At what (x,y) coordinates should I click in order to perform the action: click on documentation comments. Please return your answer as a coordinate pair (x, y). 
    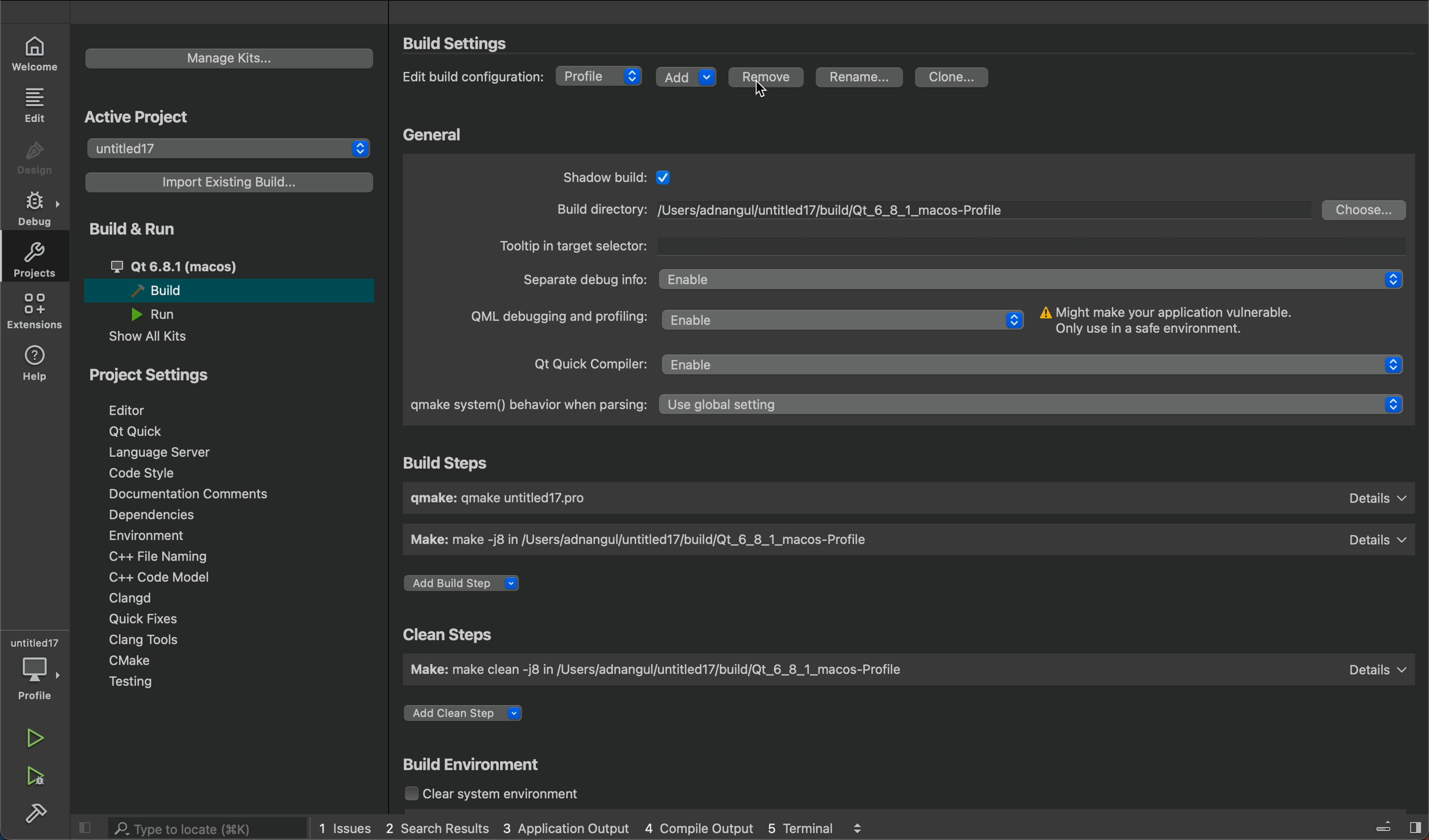
    Looking at the image, I should click on (192, 493).